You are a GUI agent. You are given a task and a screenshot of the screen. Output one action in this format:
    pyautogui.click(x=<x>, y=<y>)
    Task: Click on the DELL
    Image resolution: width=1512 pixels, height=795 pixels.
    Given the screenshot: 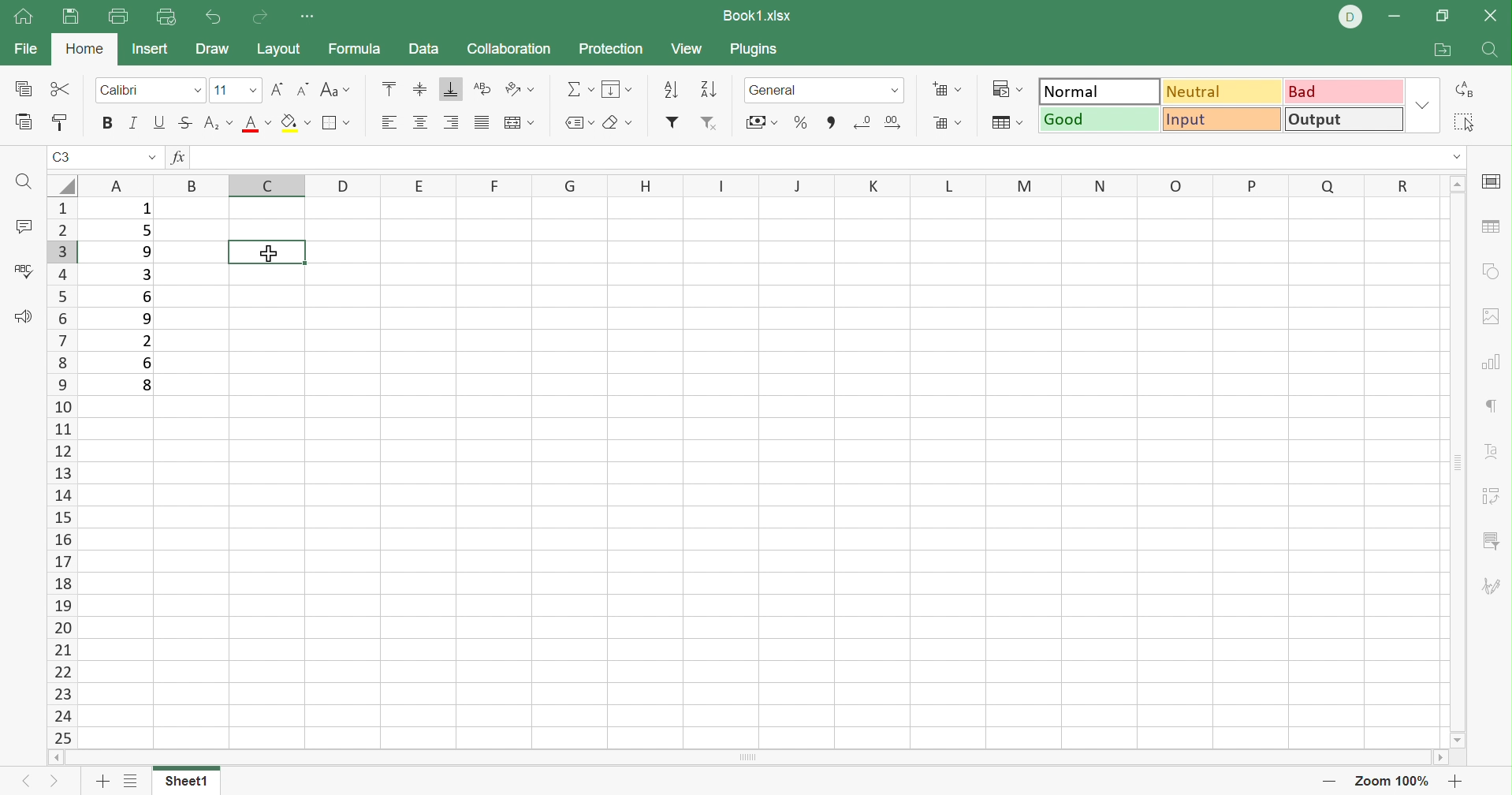 What is the action you would take?
    pyautogui.click(x=1348, y=17)
    